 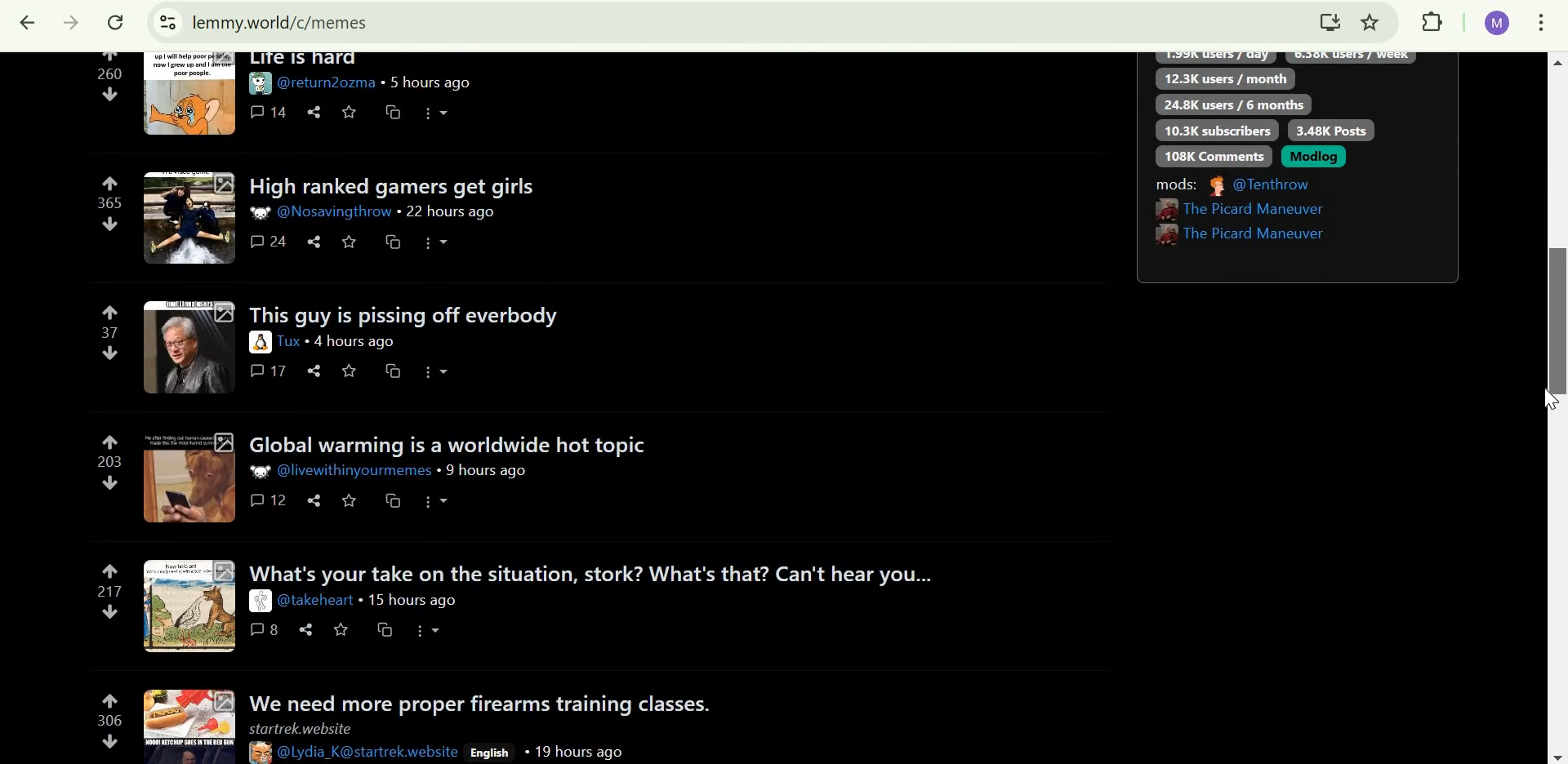 What do you see at coordinates (27, 25) in the screenshot?
I see `Click to go back, hold to see history` at bounding box center [27, 25].